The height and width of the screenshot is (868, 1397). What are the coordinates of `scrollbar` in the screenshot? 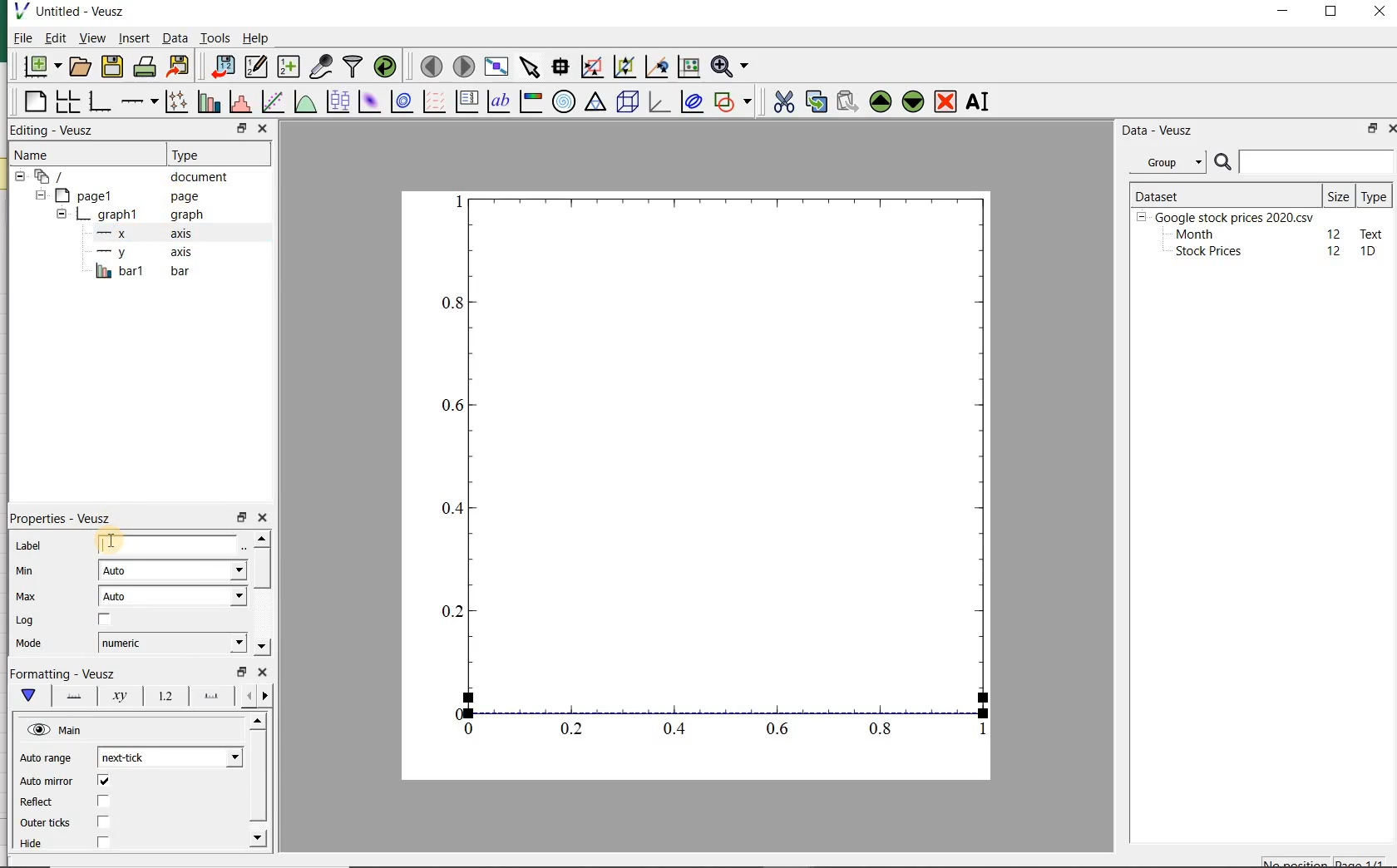 It's located at (256, 783).